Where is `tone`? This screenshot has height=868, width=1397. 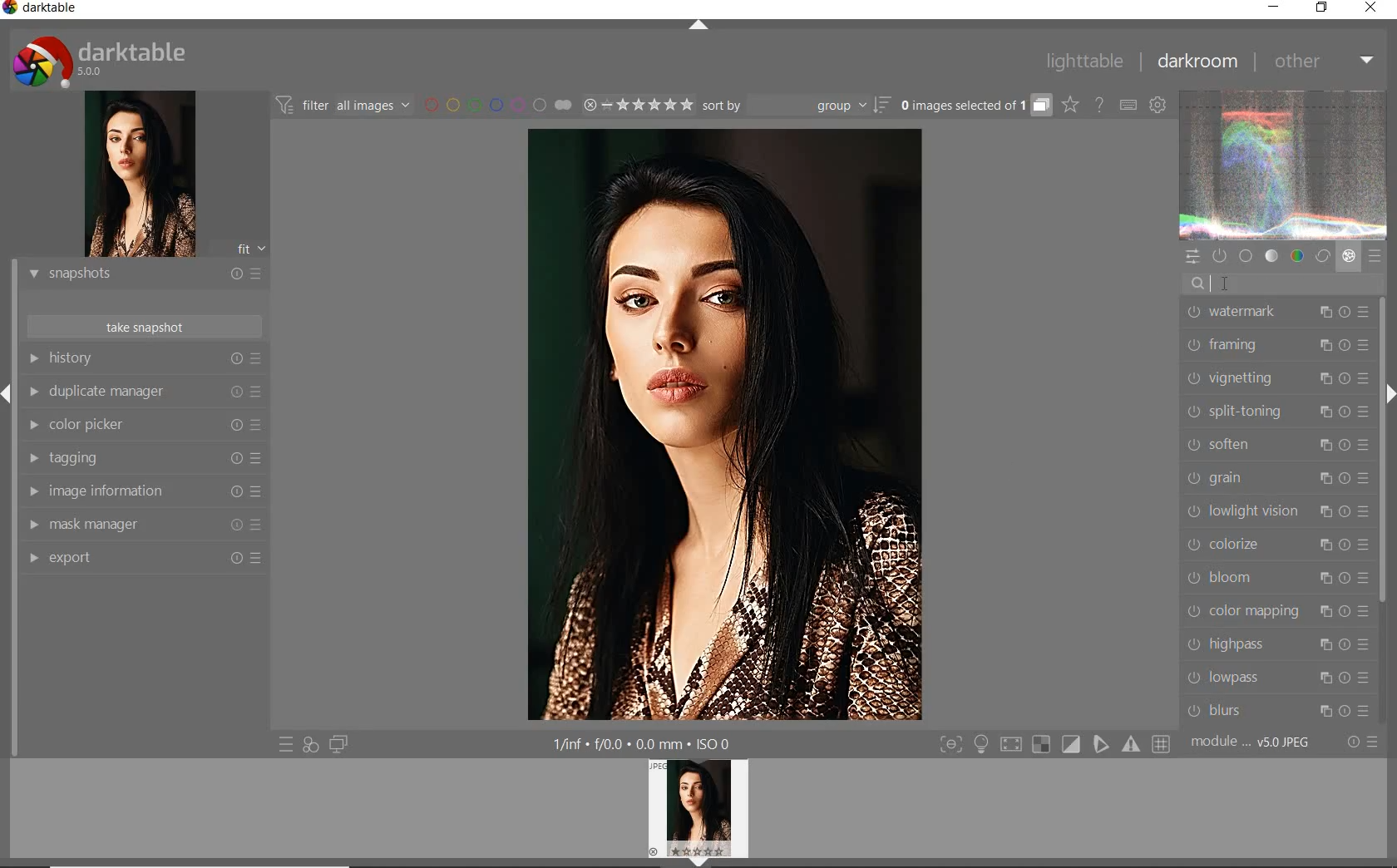
tone is located at coordinates (1271, 258).